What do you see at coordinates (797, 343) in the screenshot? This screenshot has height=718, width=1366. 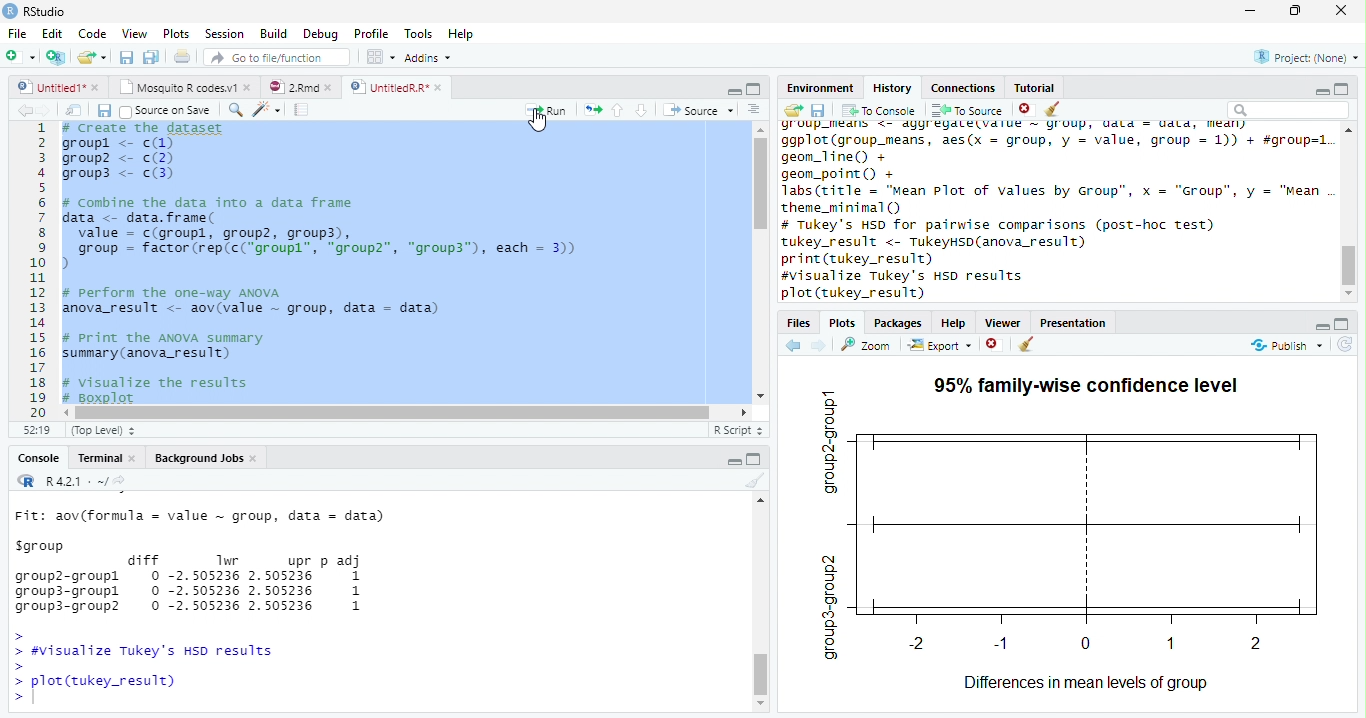 I see `back` at bounding box center [797, 343].